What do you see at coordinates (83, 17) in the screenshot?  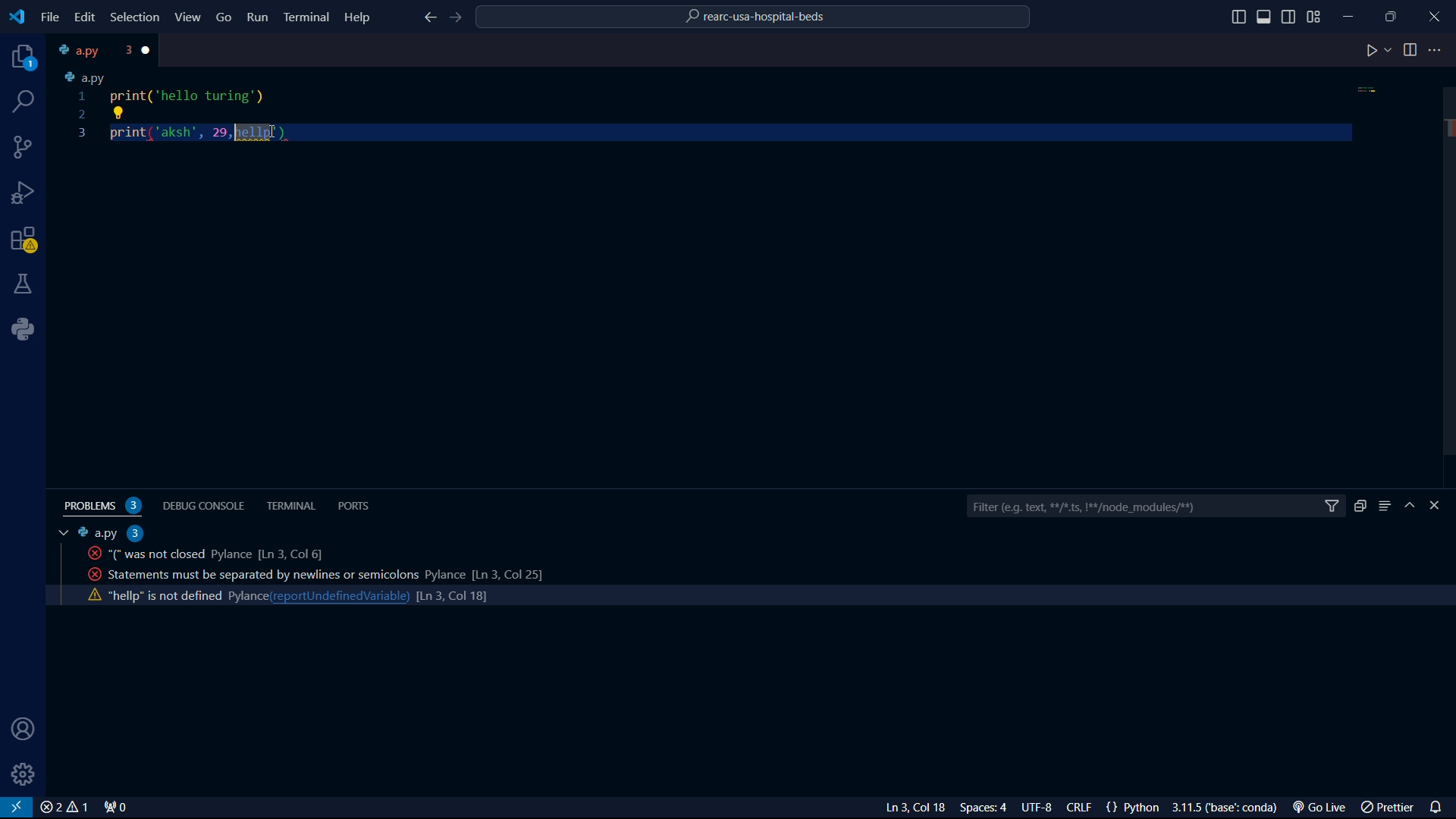 I see `edit` at bounding box center [83, 17].